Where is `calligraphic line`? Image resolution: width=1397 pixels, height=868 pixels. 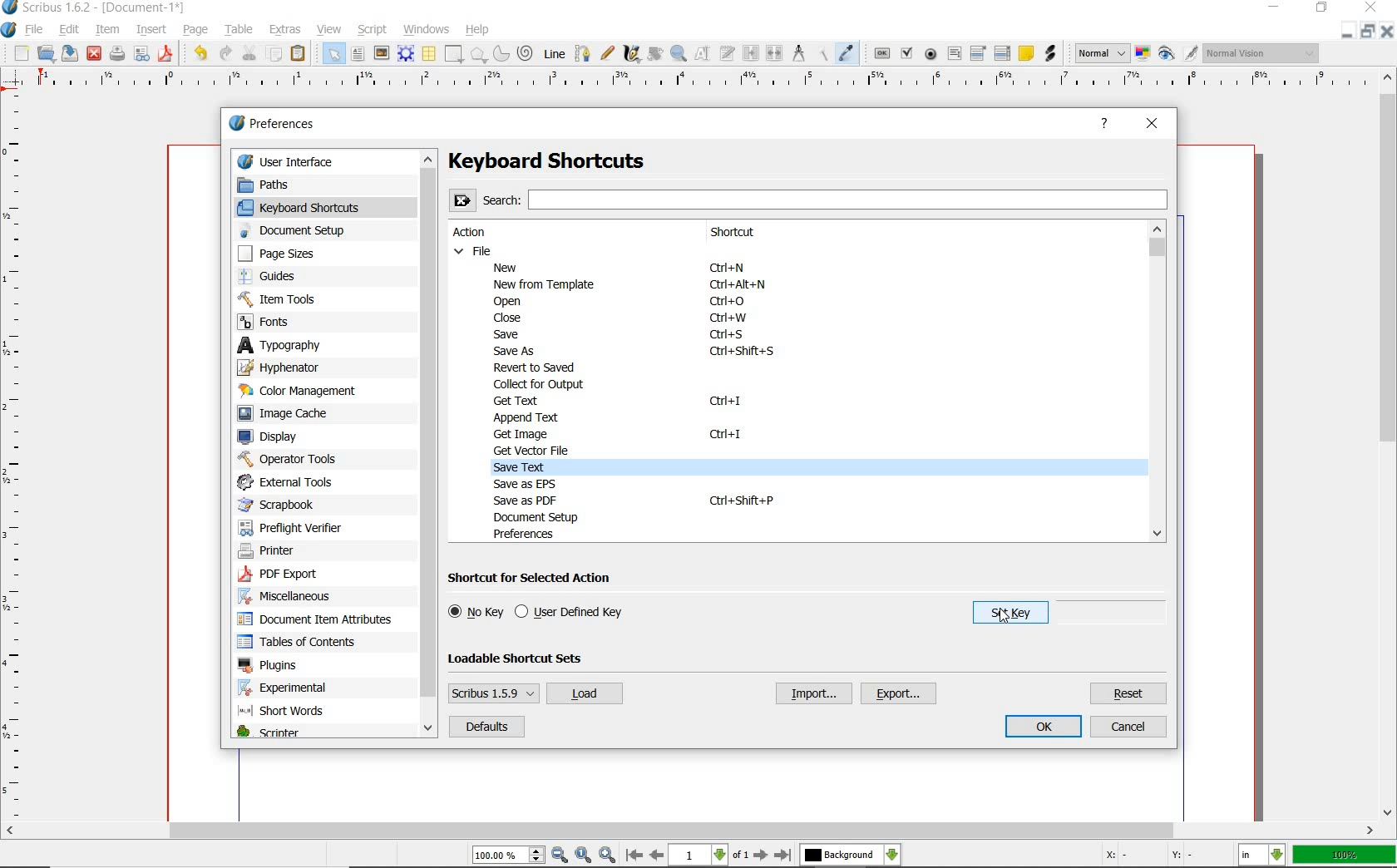 calligraphic line is located at coordinates (633, 55).